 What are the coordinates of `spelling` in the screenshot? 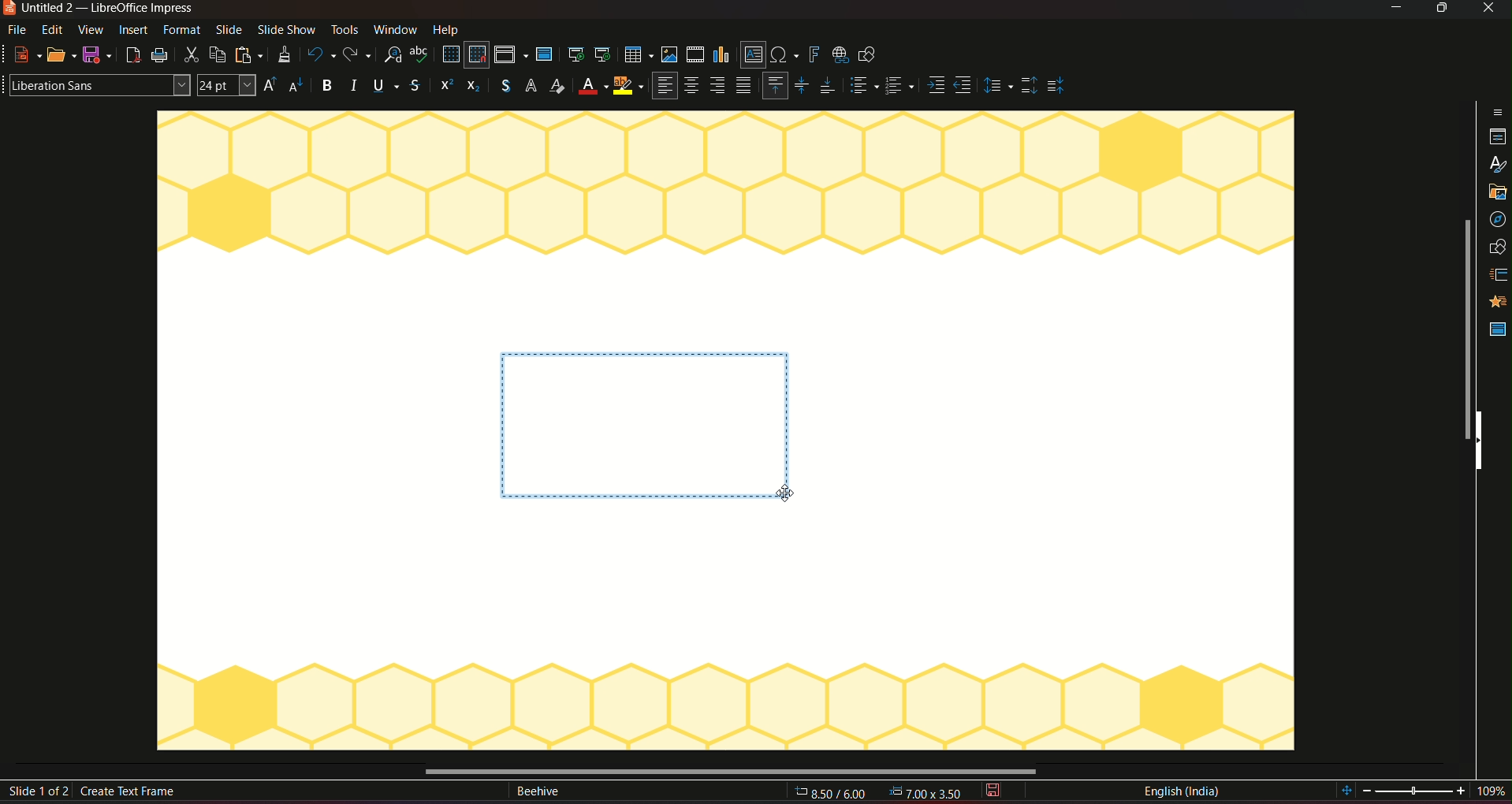 It's located at (420, 56).